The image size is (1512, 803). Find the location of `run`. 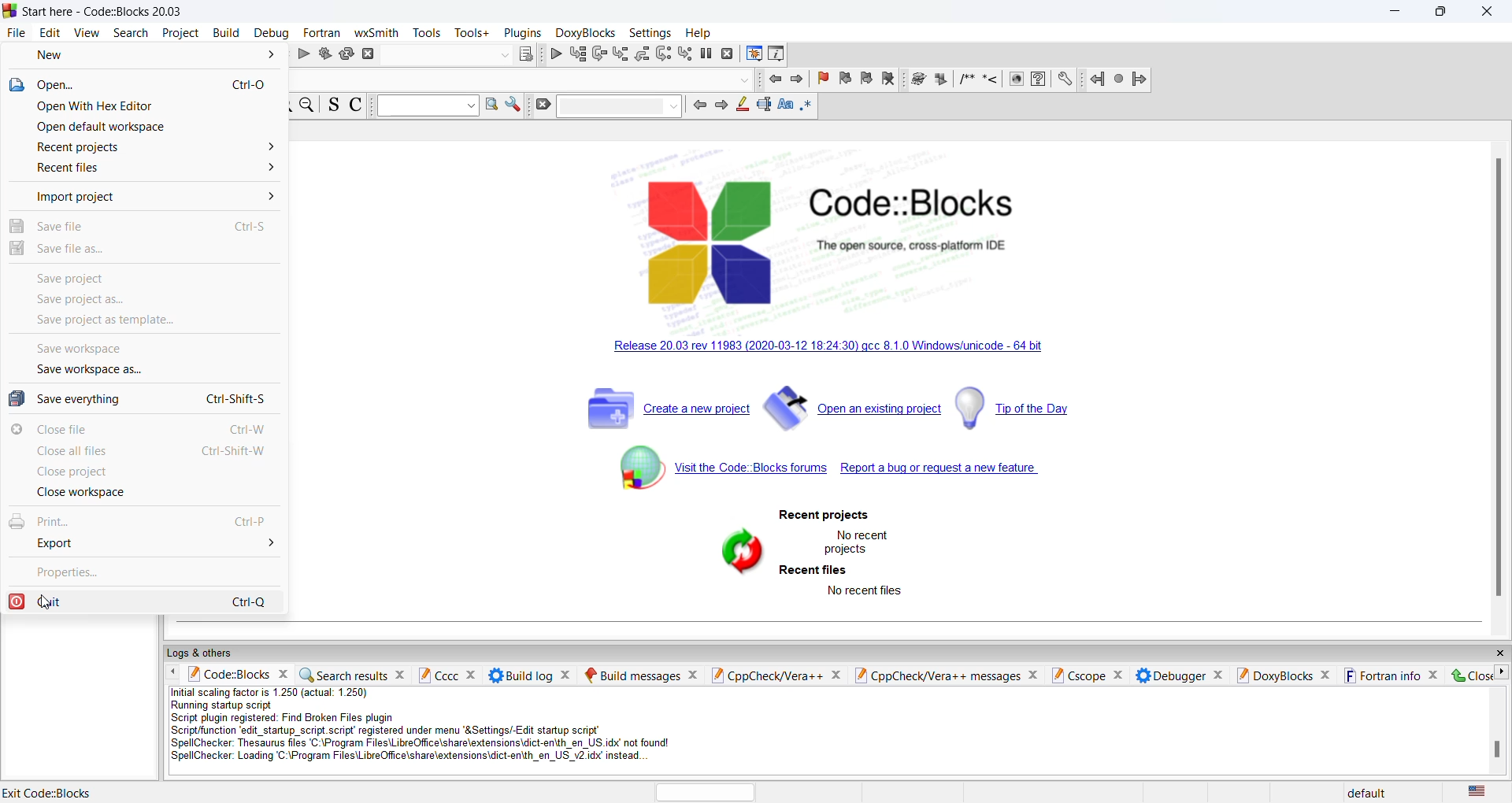

run is located at coordinates (306, 55).